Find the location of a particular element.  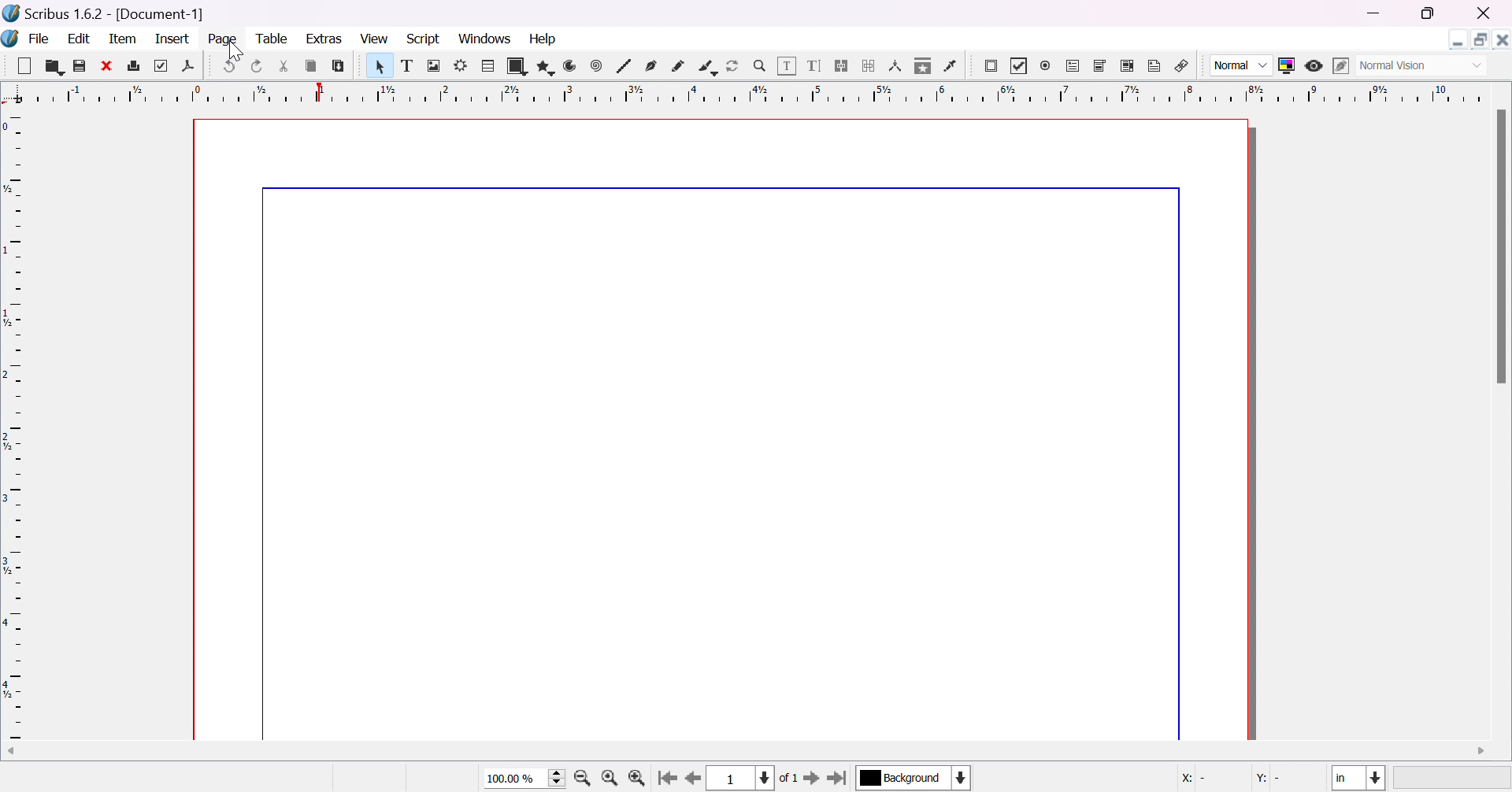

link annotation is located at coordinates (1184, 67).